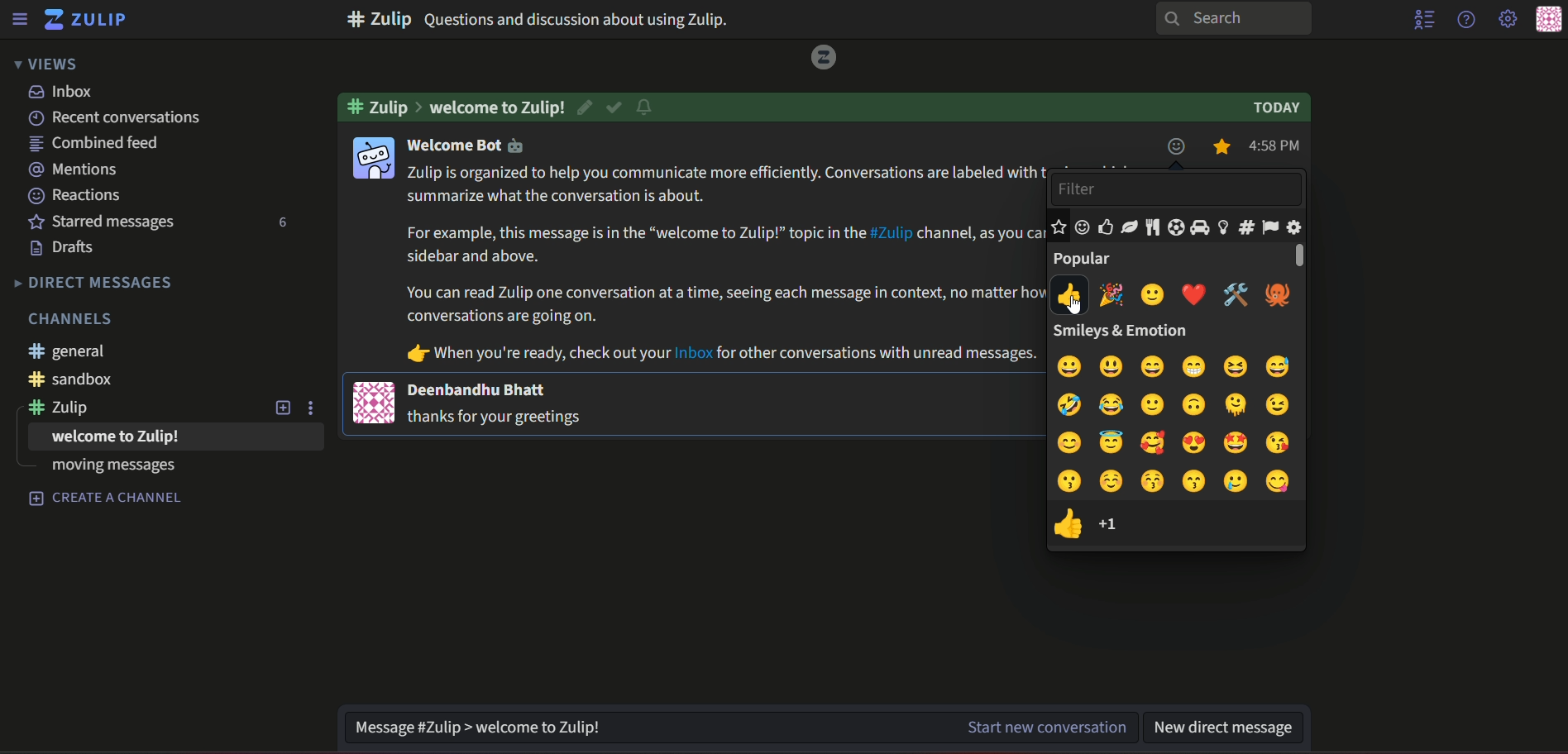  I want to click on Moving messages, so click(110, 467).